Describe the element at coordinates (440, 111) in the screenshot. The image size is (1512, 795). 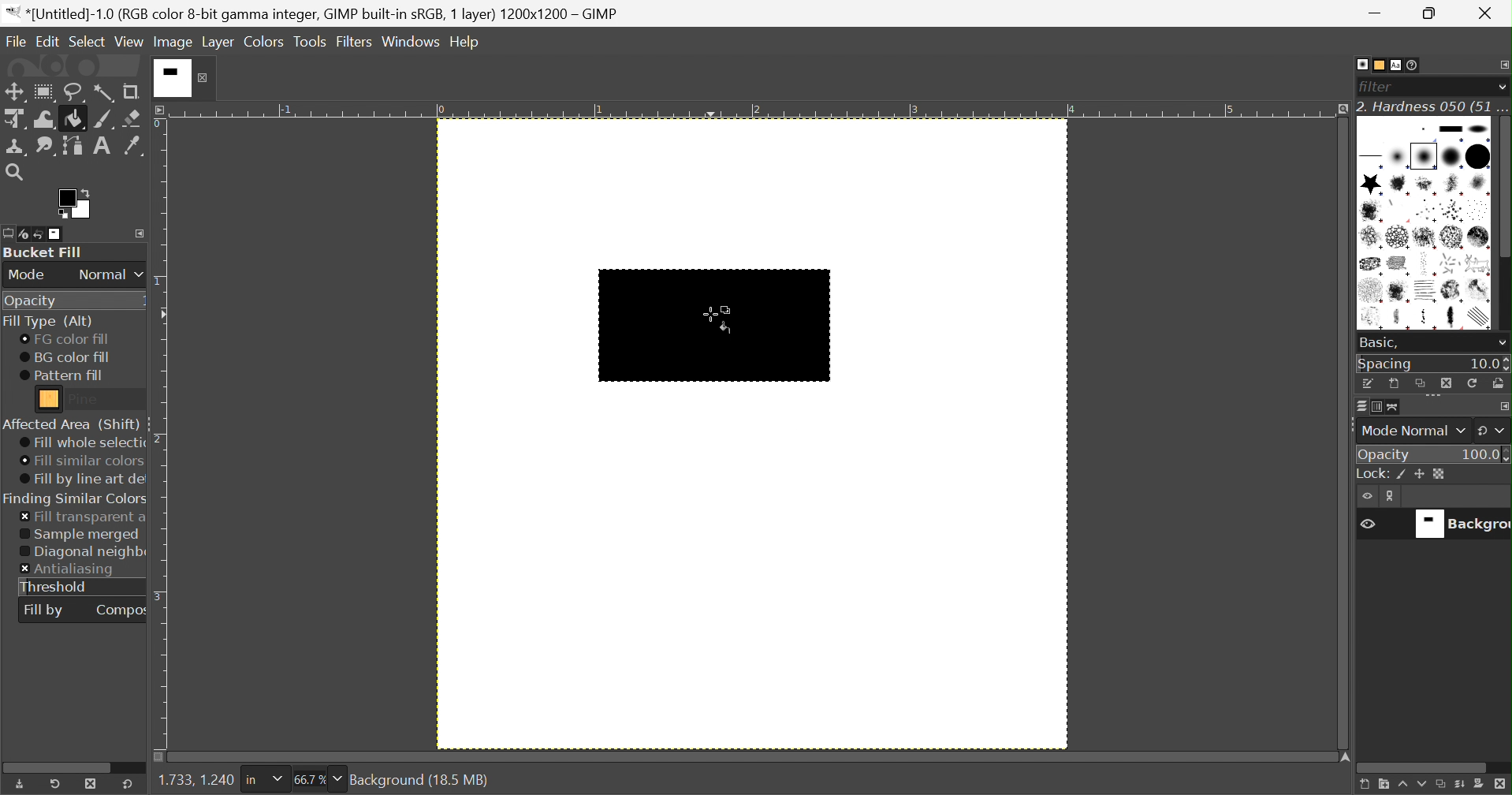
I see `0` at that location.